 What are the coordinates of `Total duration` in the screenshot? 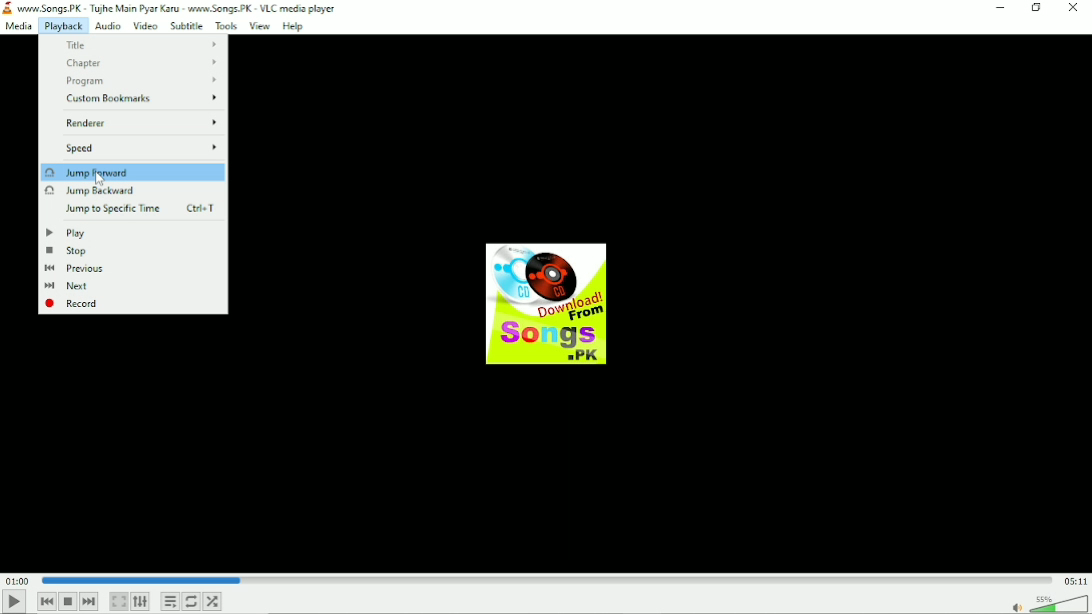 It's located at (1074, 580).